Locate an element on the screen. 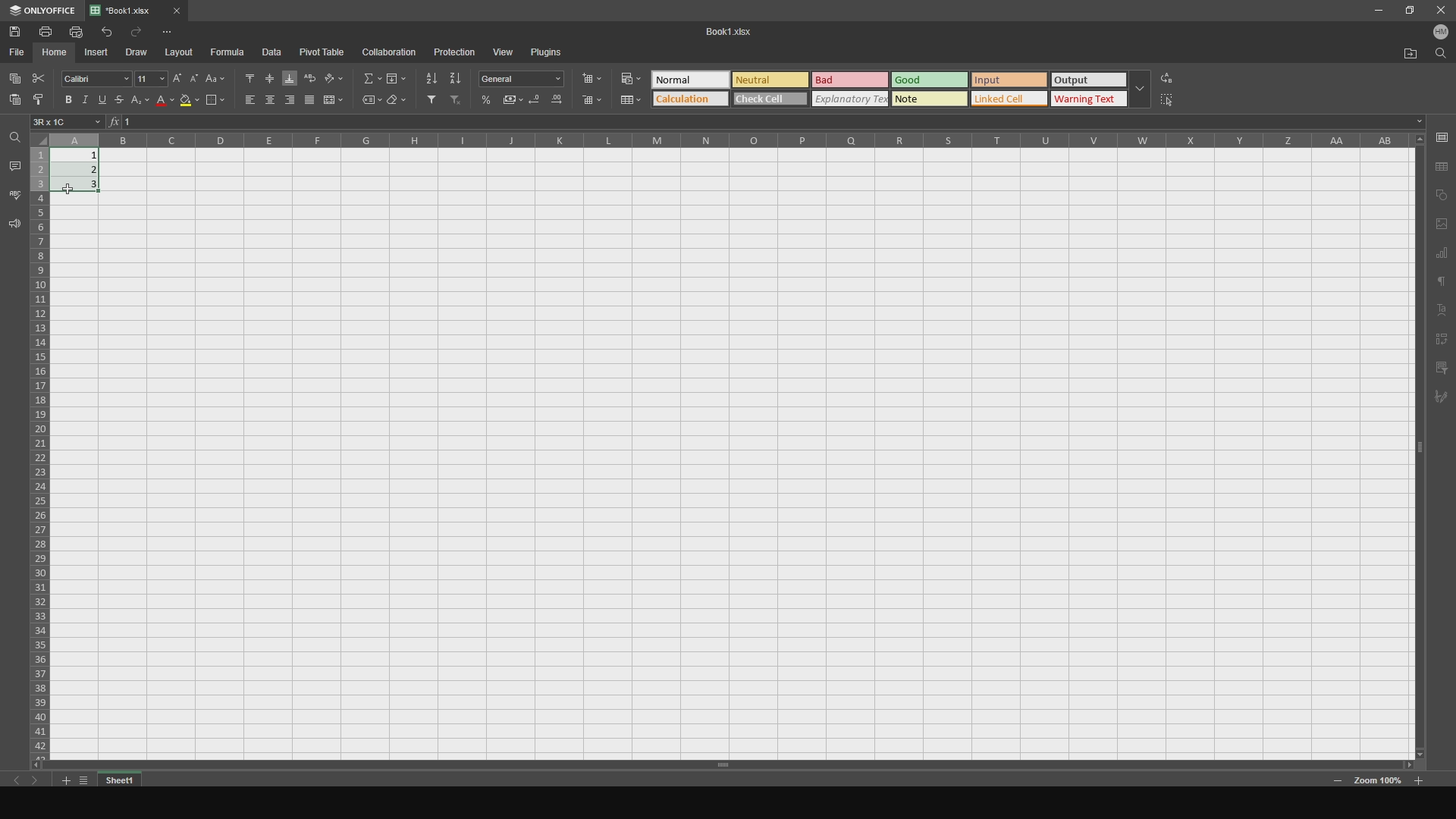 This screenshot has width=1456, height=819. list tabs is located at coordinates (83, 780).